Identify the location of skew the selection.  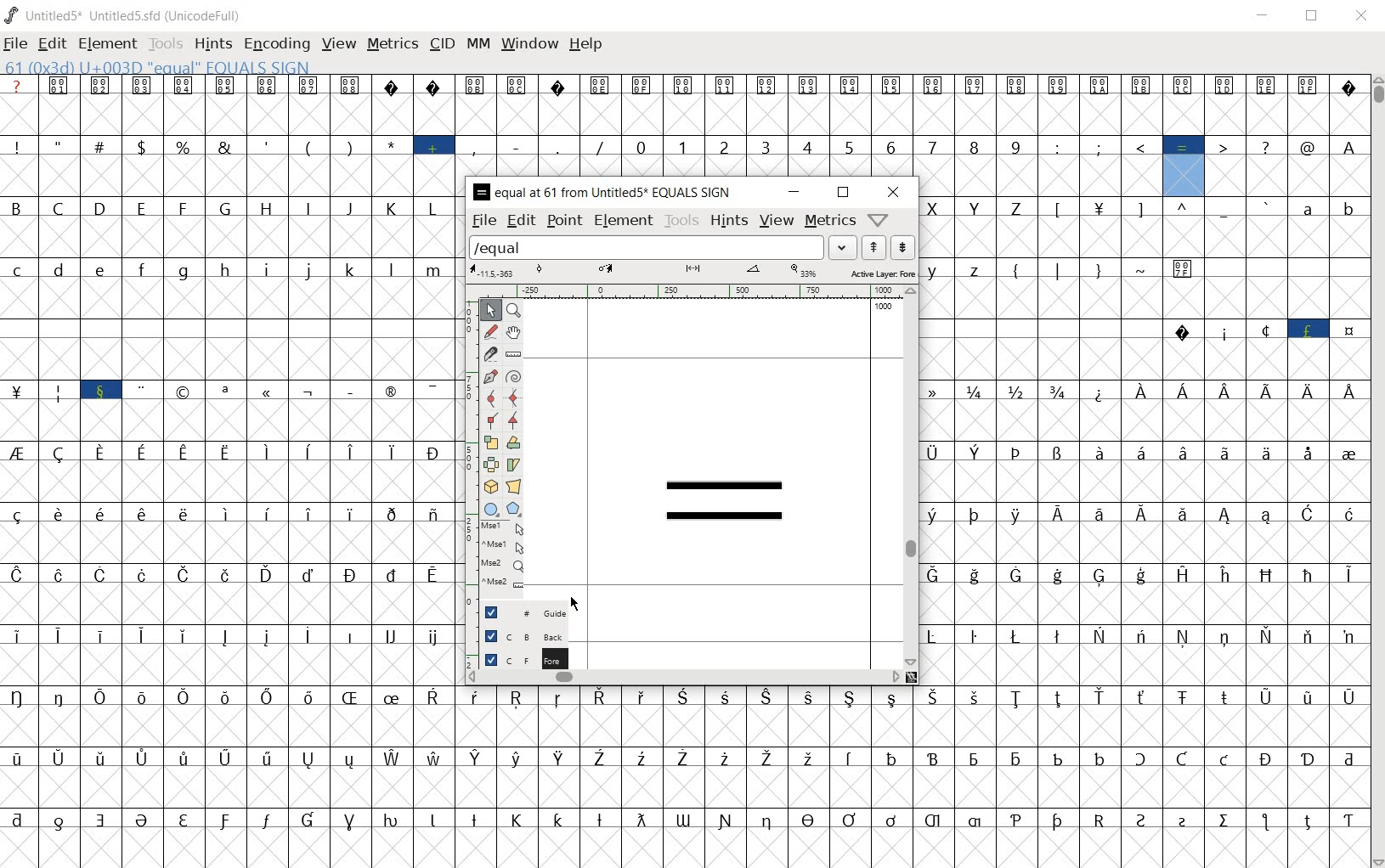
(512, 465).